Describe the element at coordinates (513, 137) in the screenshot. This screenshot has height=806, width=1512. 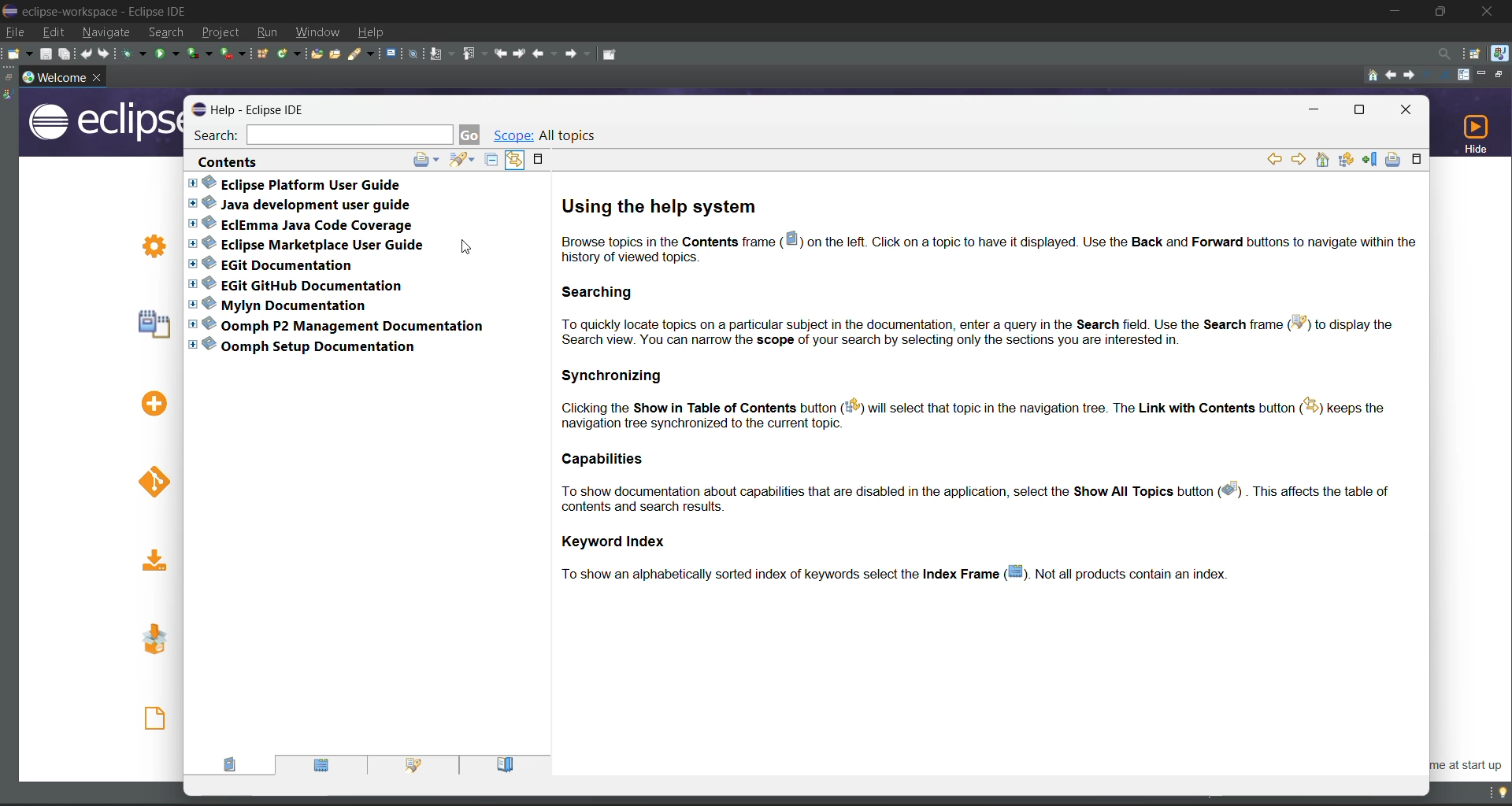
I see `scope` at that location.